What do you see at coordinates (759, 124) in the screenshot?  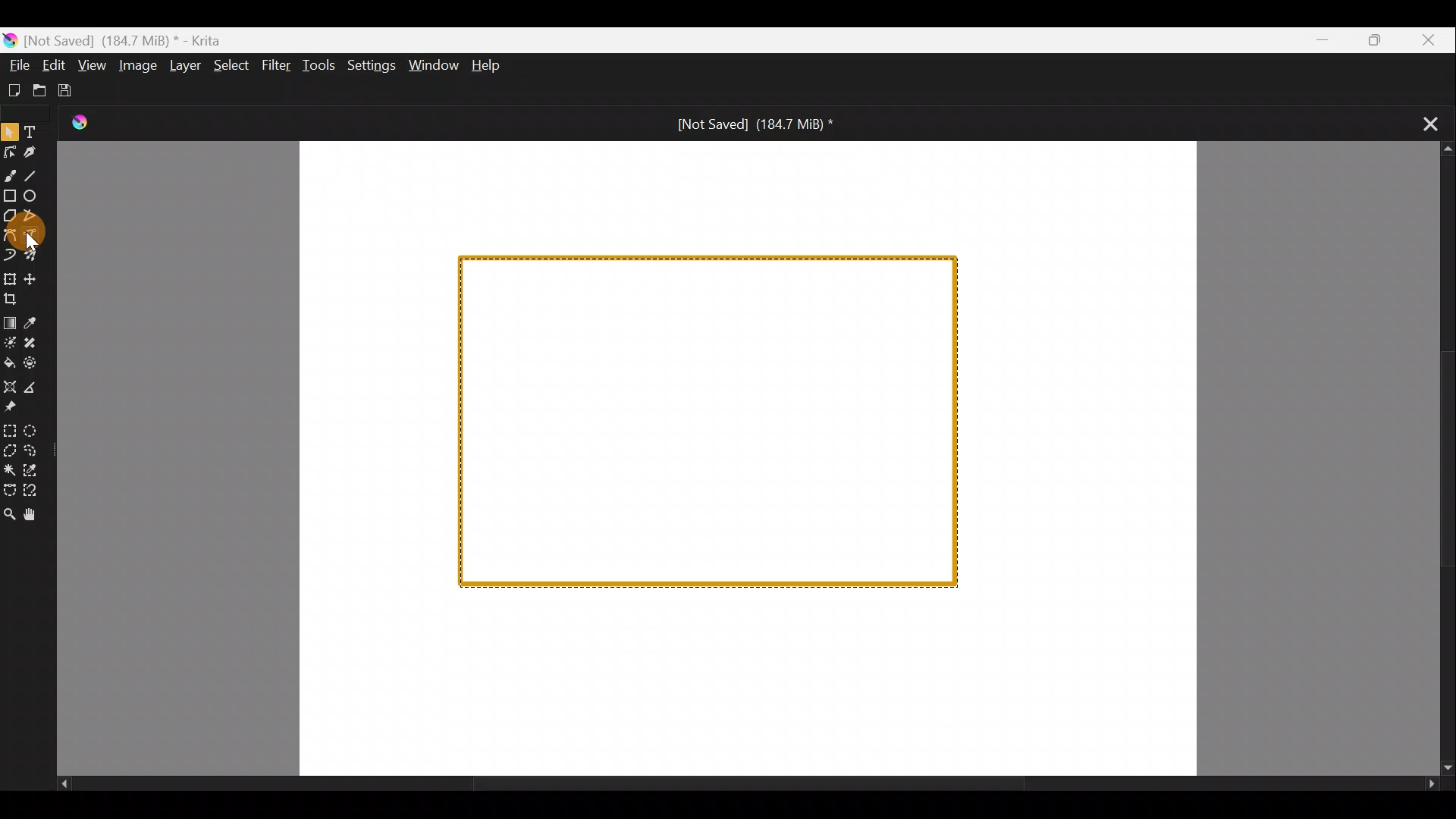 I see `[Not Saved] (184.7 MiB) *` at bounding box center [759, 124].